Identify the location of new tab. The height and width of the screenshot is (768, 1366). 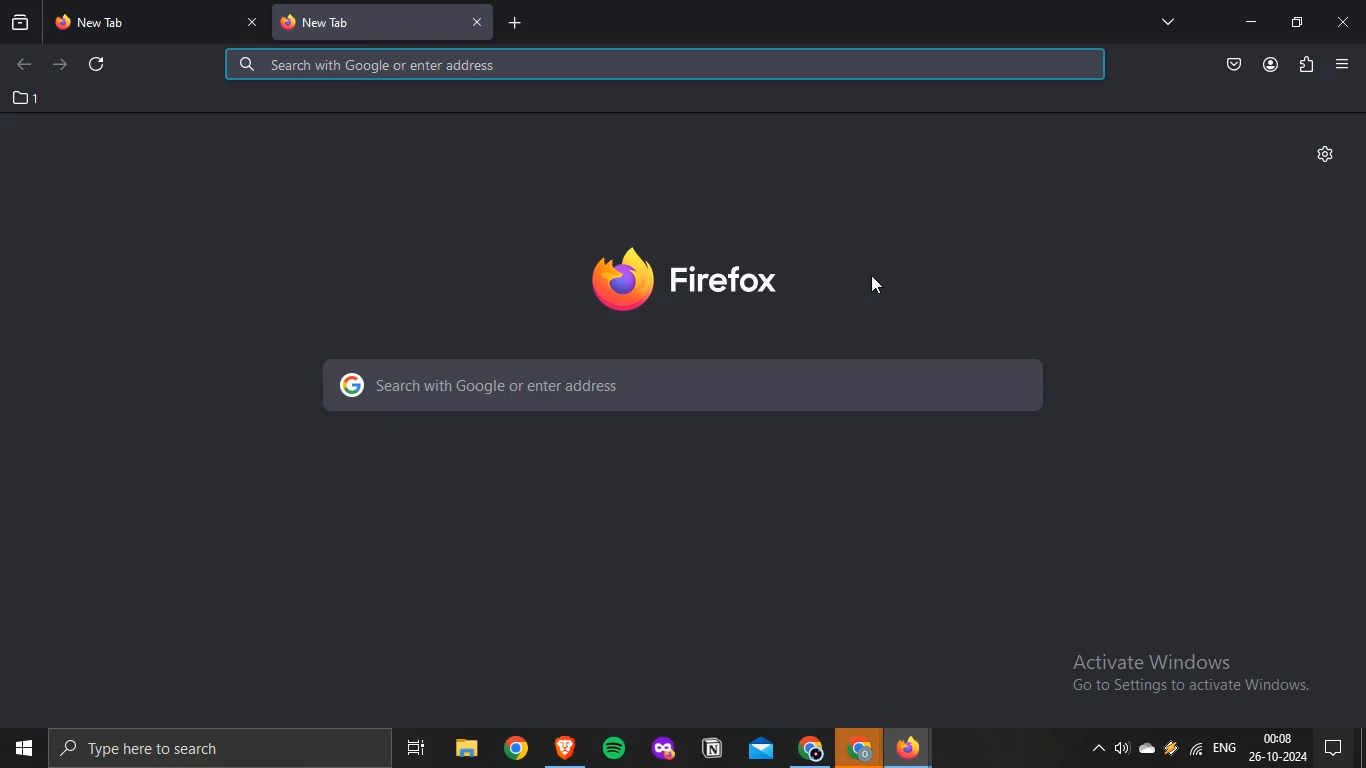
(522, 22).